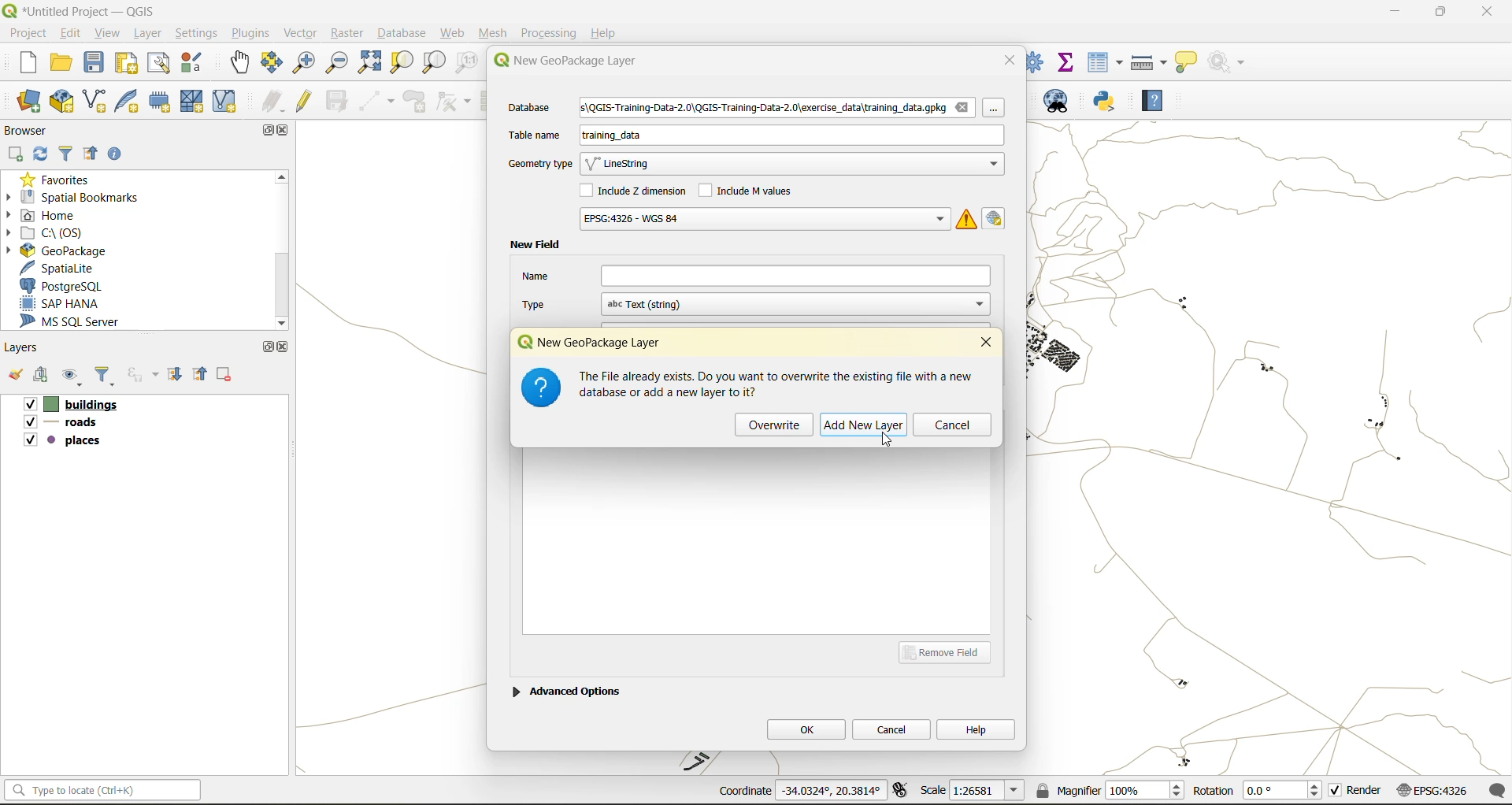 The width and height of the screenshot is (1512, 805). Describe the element at coordinates (283, 347) in the screenshot. I see `close` at that location.